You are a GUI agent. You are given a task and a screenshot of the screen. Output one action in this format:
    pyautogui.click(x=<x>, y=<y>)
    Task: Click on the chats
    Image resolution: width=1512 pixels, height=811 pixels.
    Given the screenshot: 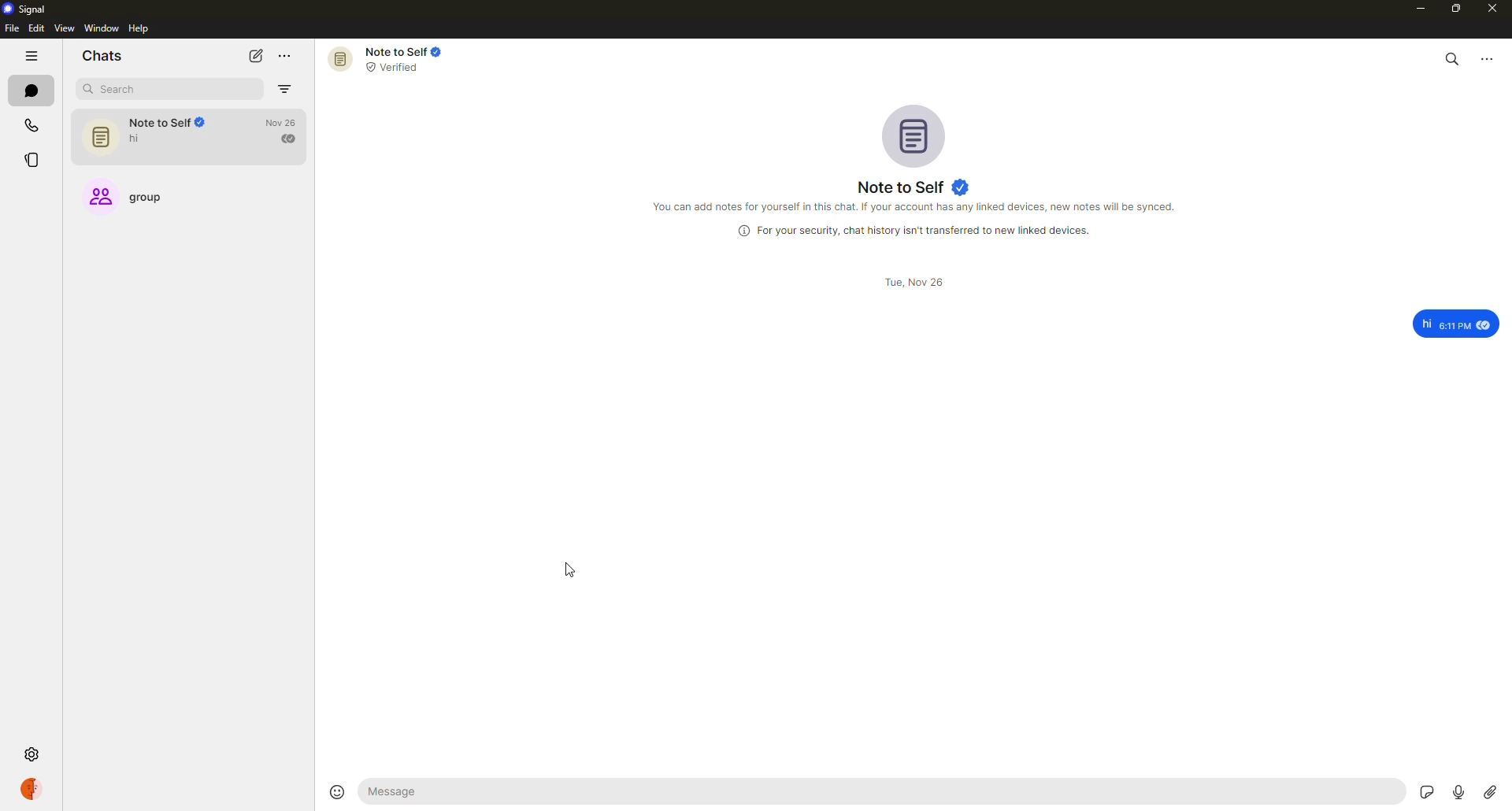 What is the action you would take?
    pyautogui.click(x=102, y=57)
    